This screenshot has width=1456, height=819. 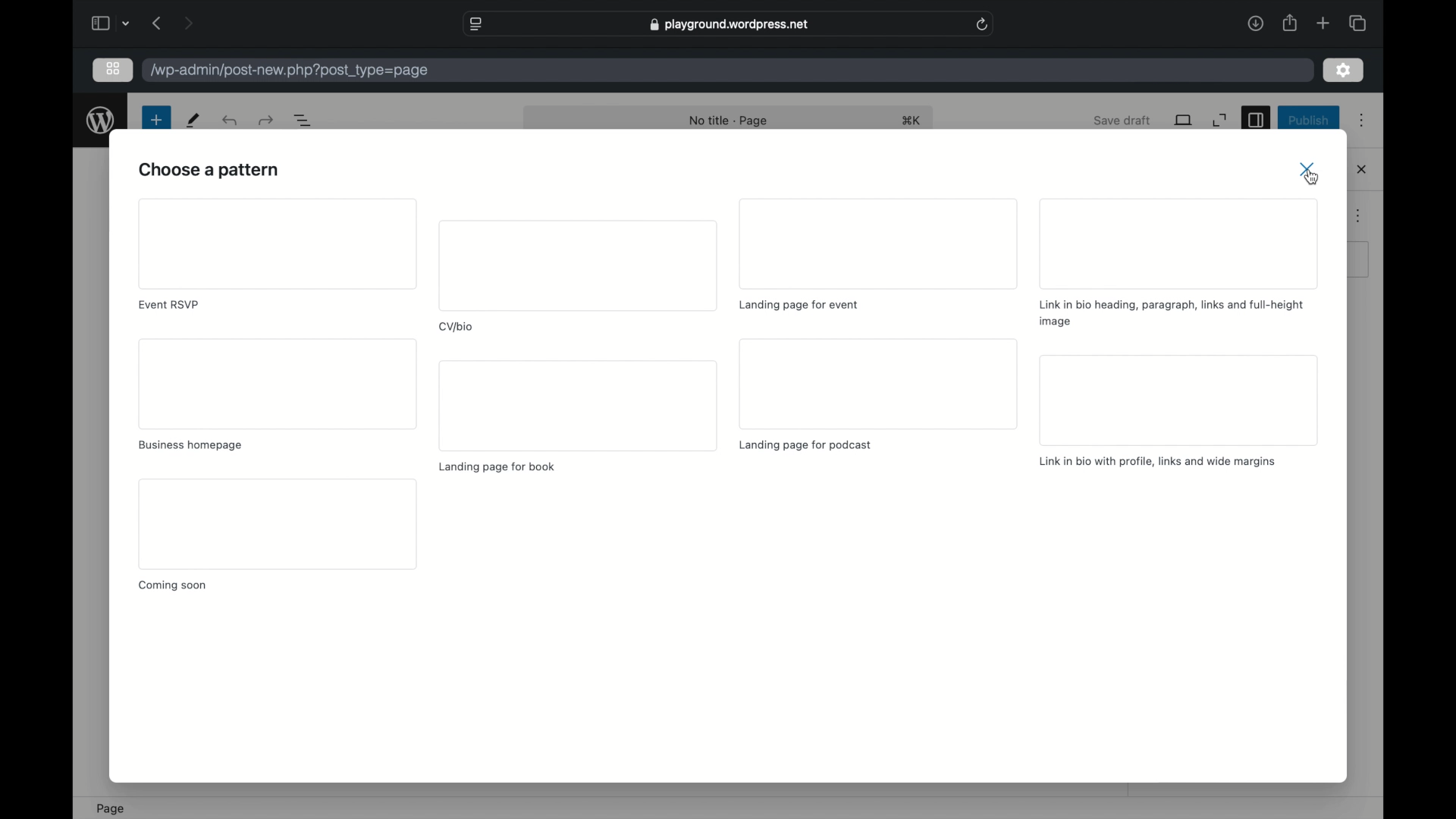 What do you see at coordinates (1172, 313) in the screenshot?
I see `link i  bio heading, paragraph, links and full- height image` at bounding box center [1172, 313].